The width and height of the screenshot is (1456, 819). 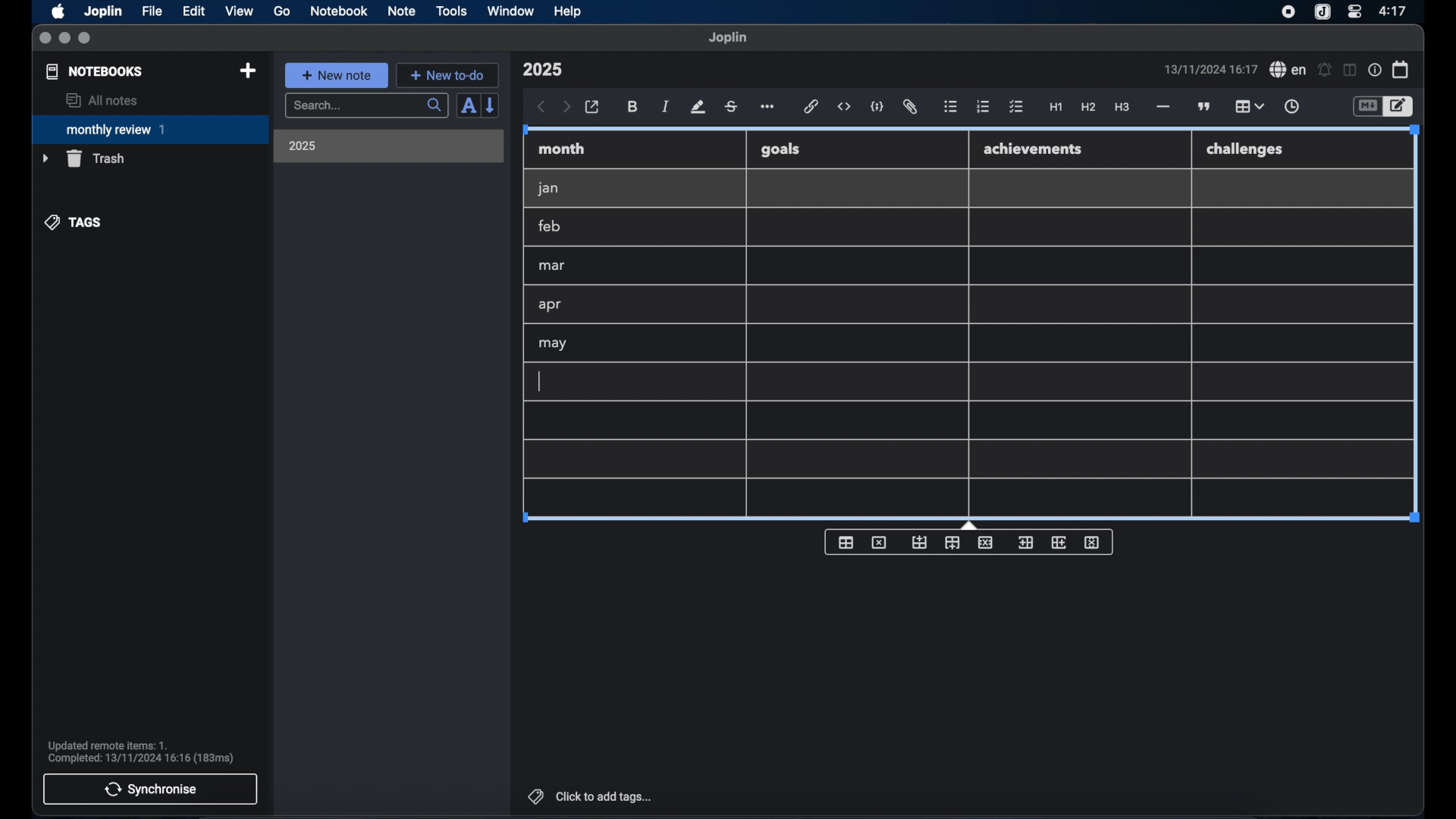 What do you see at coordinates (1395, 11) in the screenshot?
I see `time` at bounding box center [1395, 11].